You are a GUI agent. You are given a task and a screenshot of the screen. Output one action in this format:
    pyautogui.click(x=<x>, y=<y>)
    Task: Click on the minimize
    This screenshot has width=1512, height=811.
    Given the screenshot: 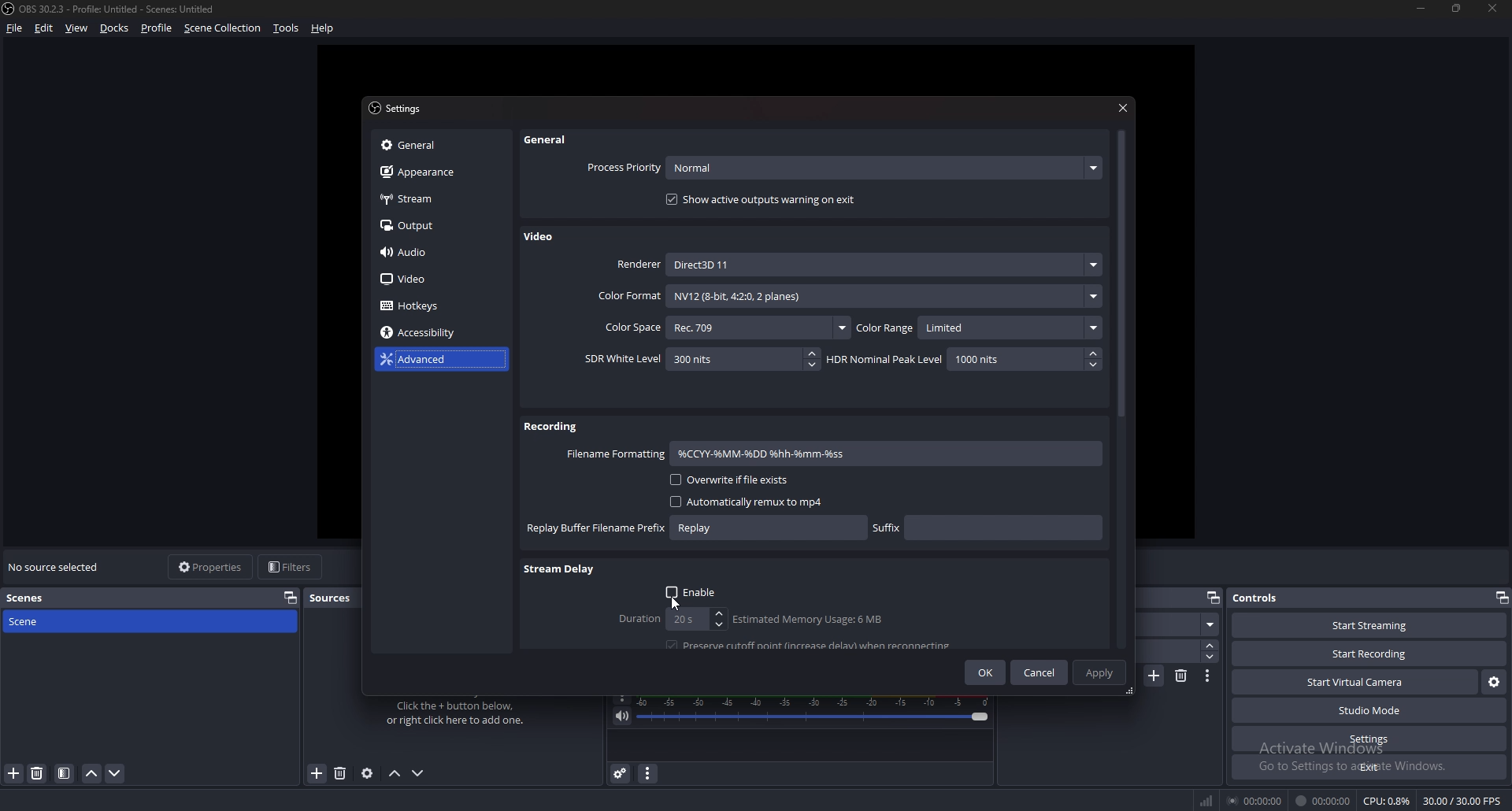 What is the action you would take?
    pyautogui.click(x=1421, y=7)
    